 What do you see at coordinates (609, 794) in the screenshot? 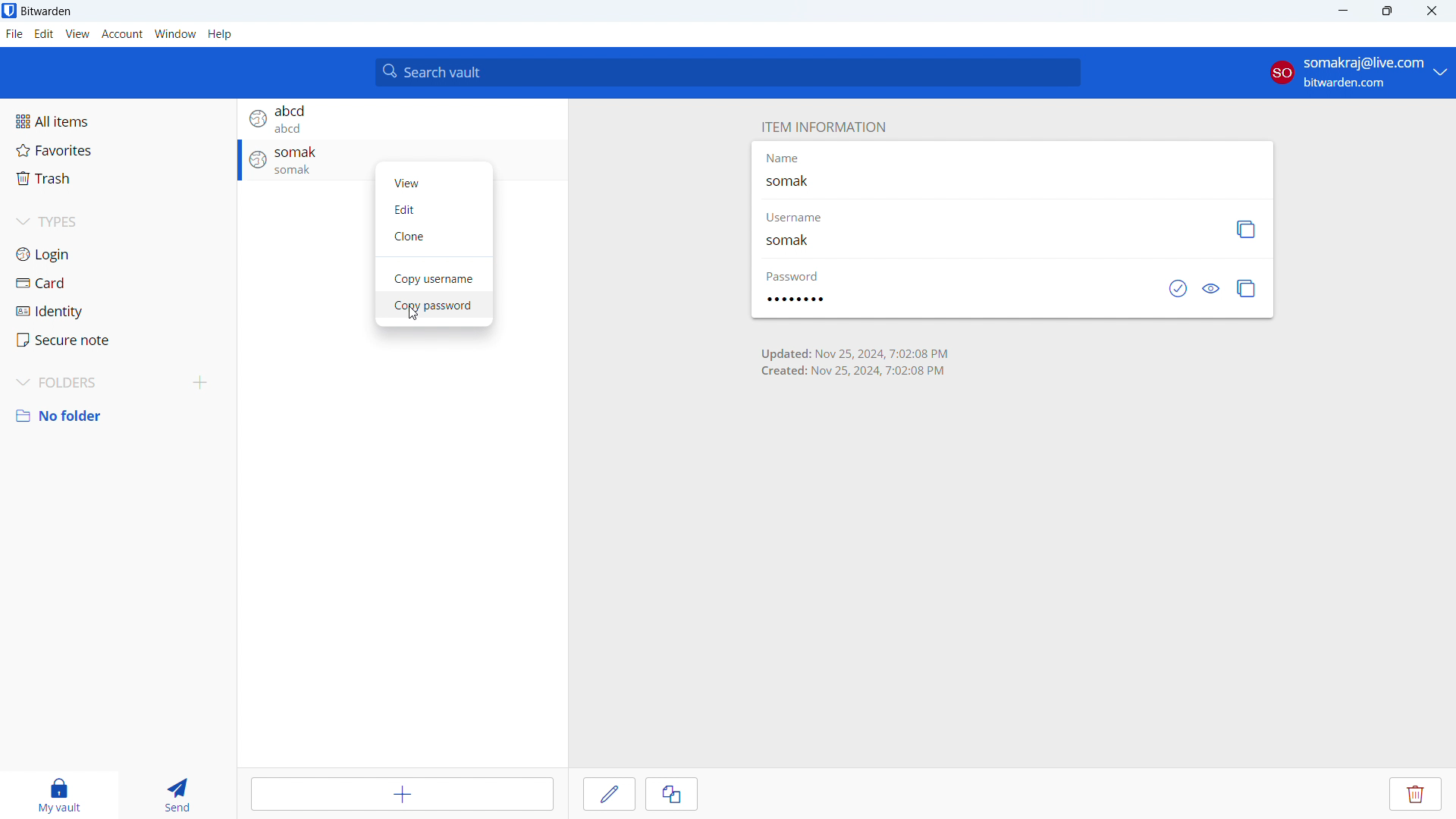
I see `edit` at bounding box center [609, 794].